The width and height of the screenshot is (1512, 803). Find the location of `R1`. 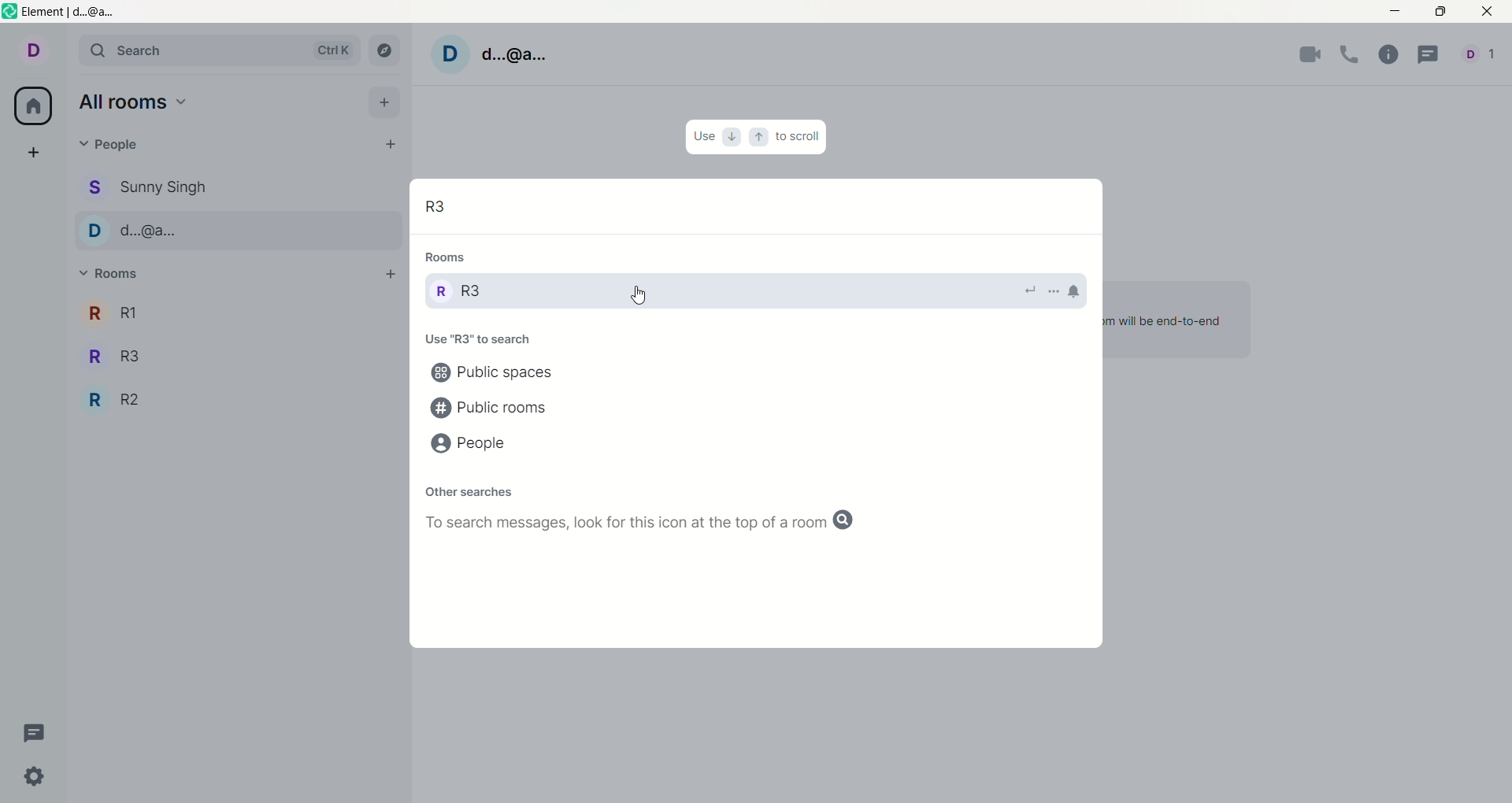

R1 is located at coordinates (108, 314).